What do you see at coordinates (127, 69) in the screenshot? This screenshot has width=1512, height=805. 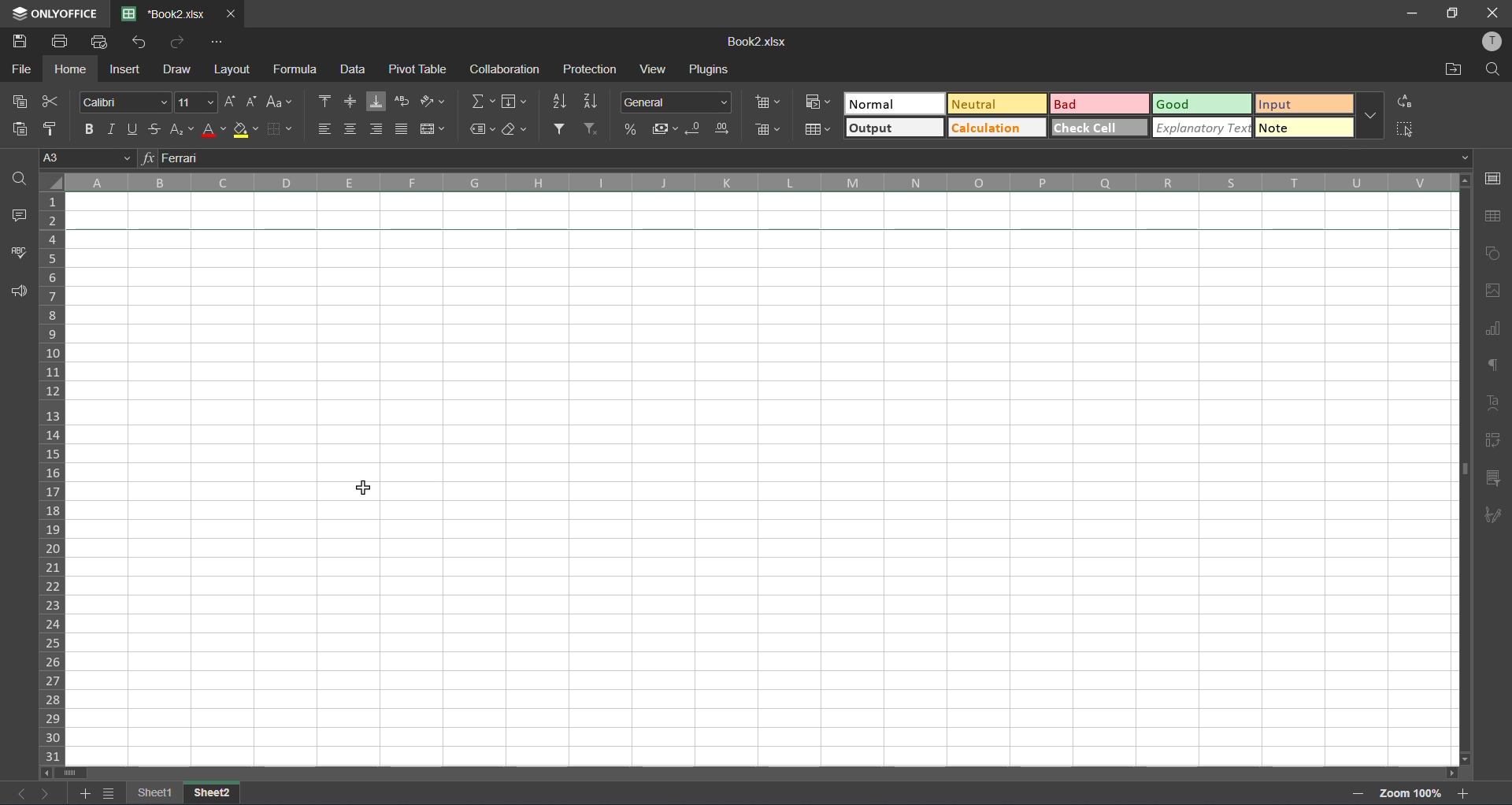 I see `insert` at bounding box center [127, 69].